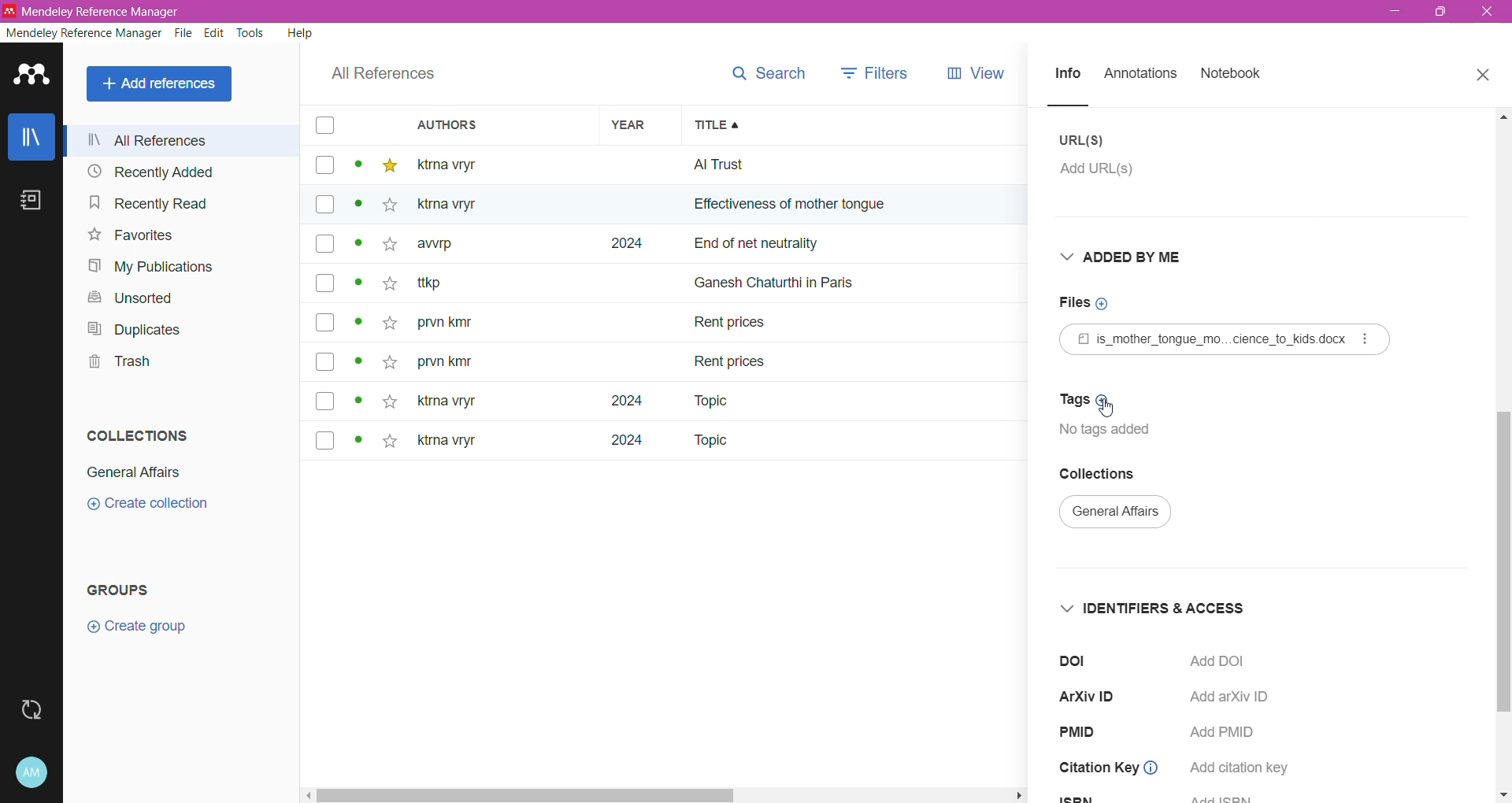 The height and width of the screenshot is (803, 1512). What do you see at coordinates (360, 401) in the screenshot?
I see `dot ` at bounding box center [360, 401].